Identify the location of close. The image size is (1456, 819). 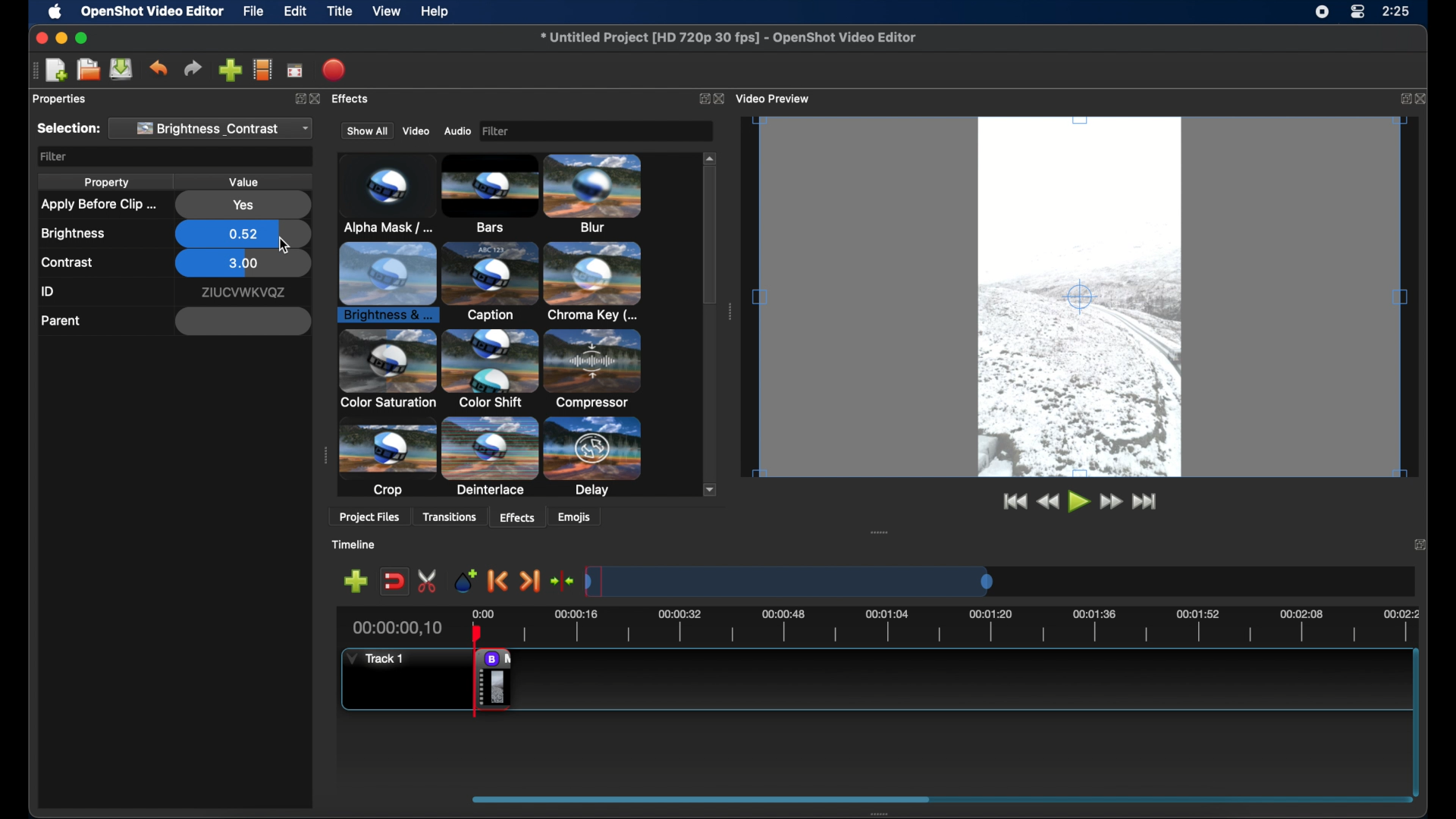
(1420, 543).